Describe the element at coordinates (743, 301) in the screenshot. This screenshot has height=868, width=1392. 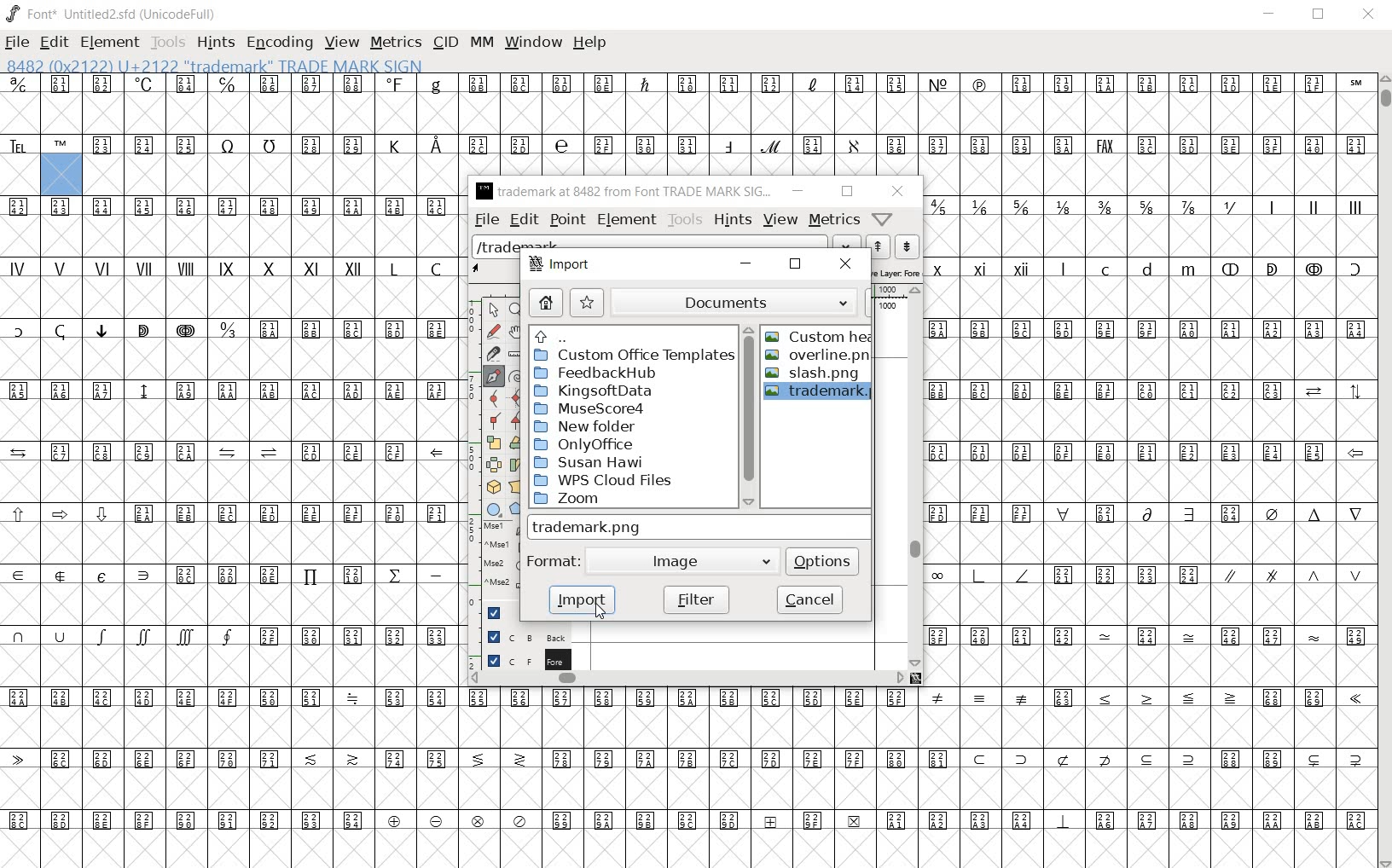
I see `documents` at that location.